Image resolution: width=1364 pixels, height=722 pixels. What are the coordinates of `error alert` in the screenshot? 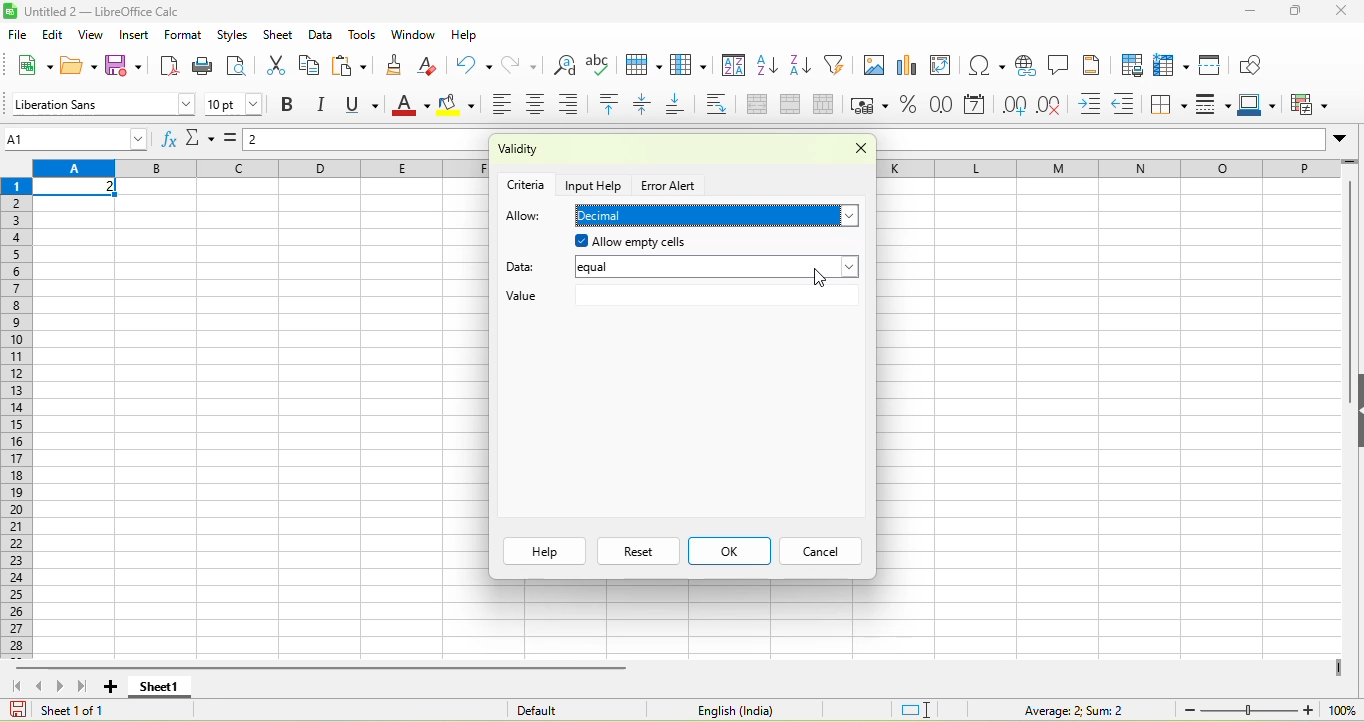 It's located at (671, 186).